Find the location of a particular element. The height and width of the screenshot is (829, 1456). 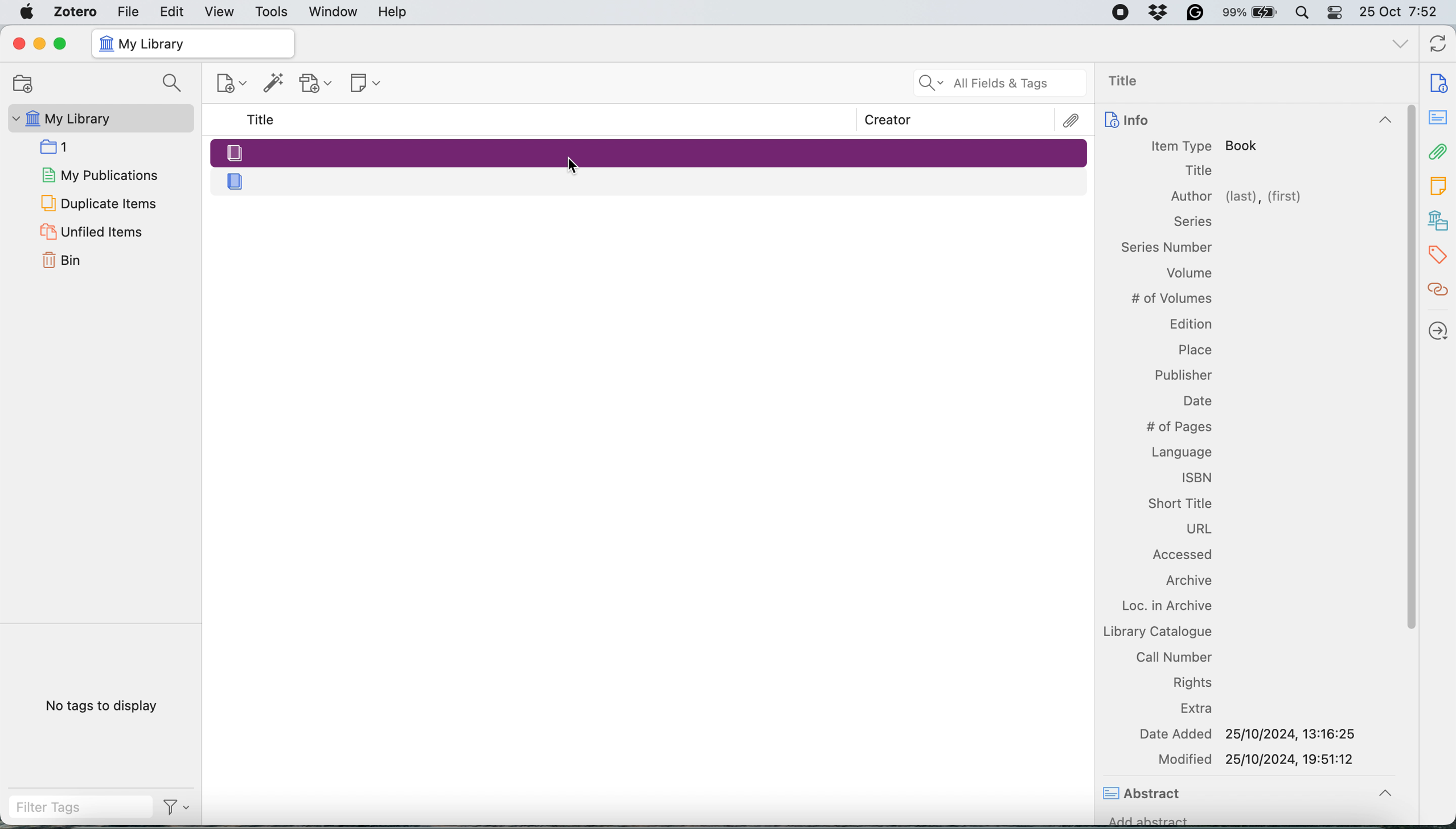

Author (last), (first) is located at coordinates (1237, 197).